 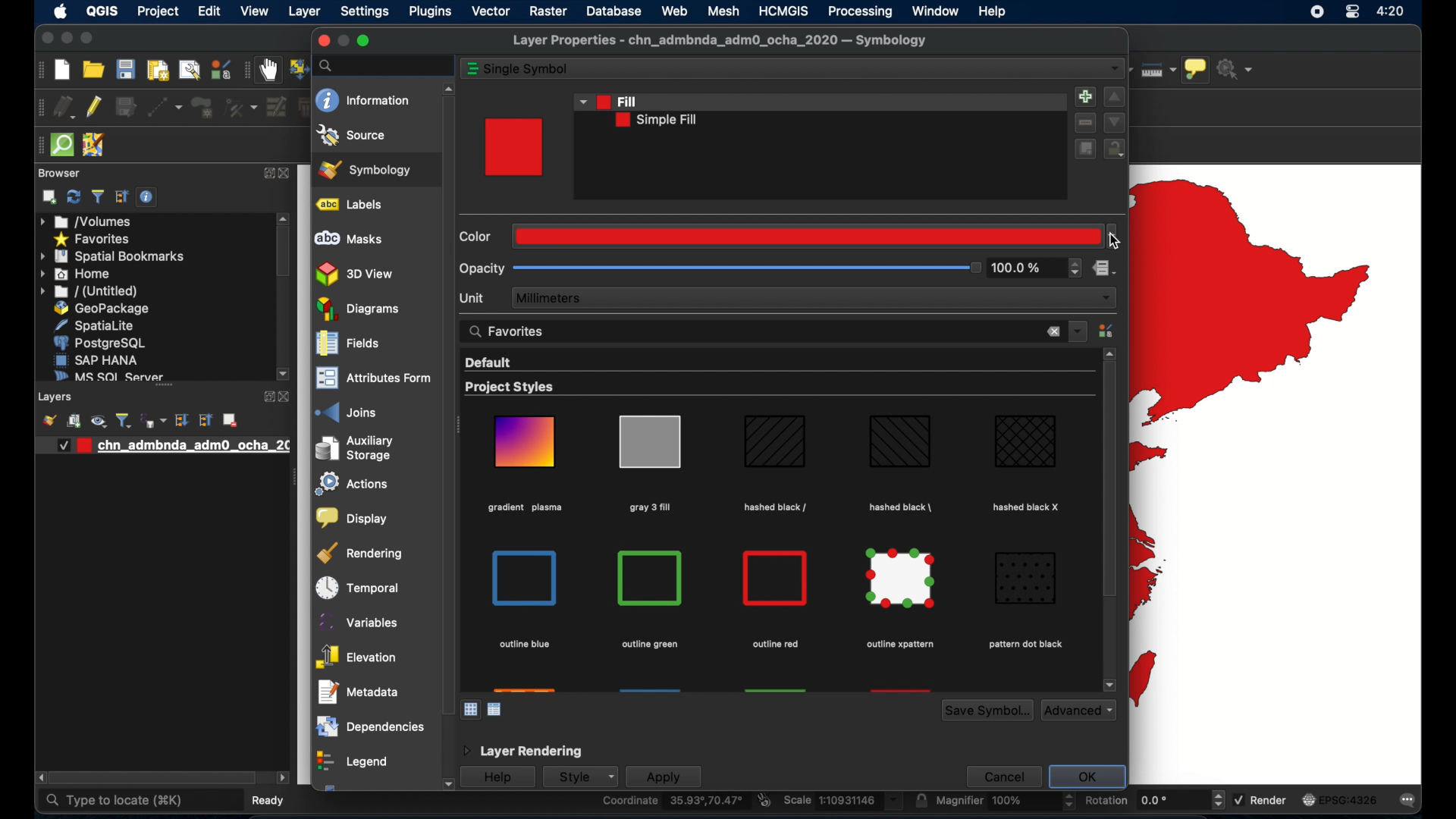 I want to click on millimeters dropdown, so click(x=814, y=298).